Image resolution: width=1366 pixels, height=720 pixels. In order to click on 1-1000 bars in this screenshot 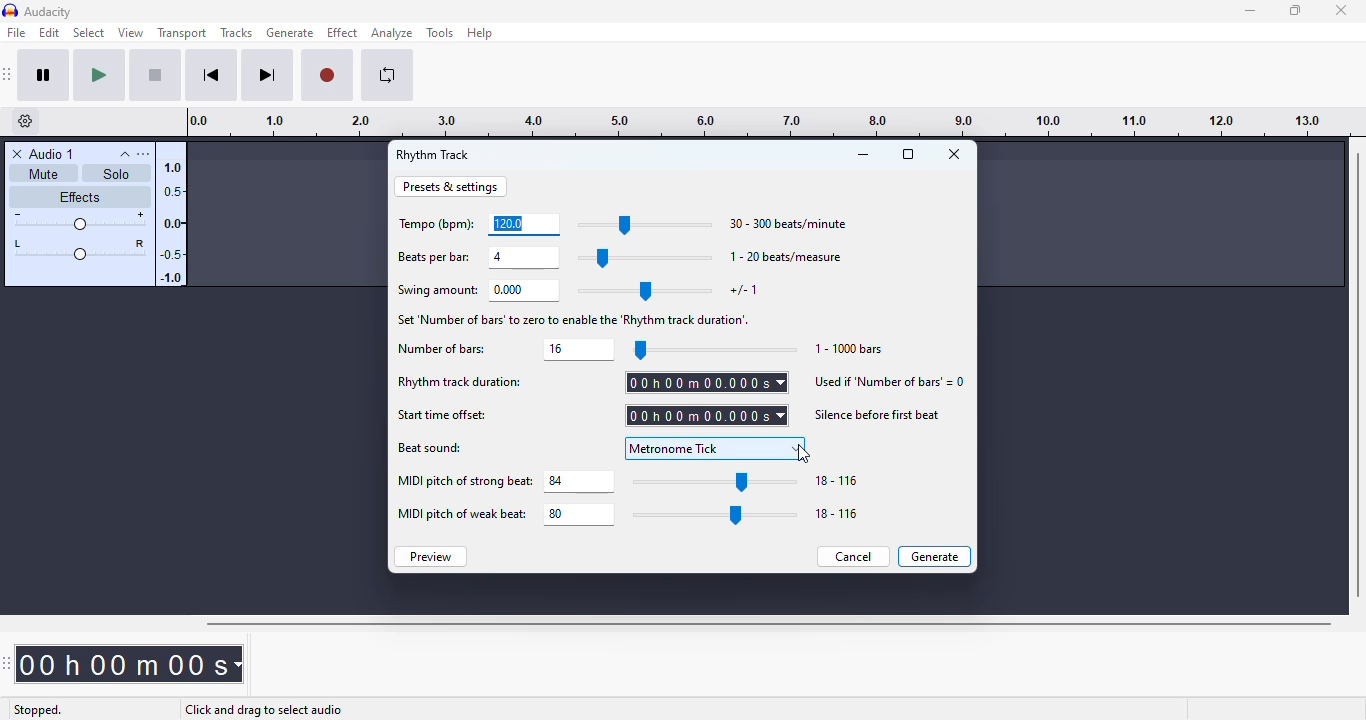, I will do `click(850, 349)`.